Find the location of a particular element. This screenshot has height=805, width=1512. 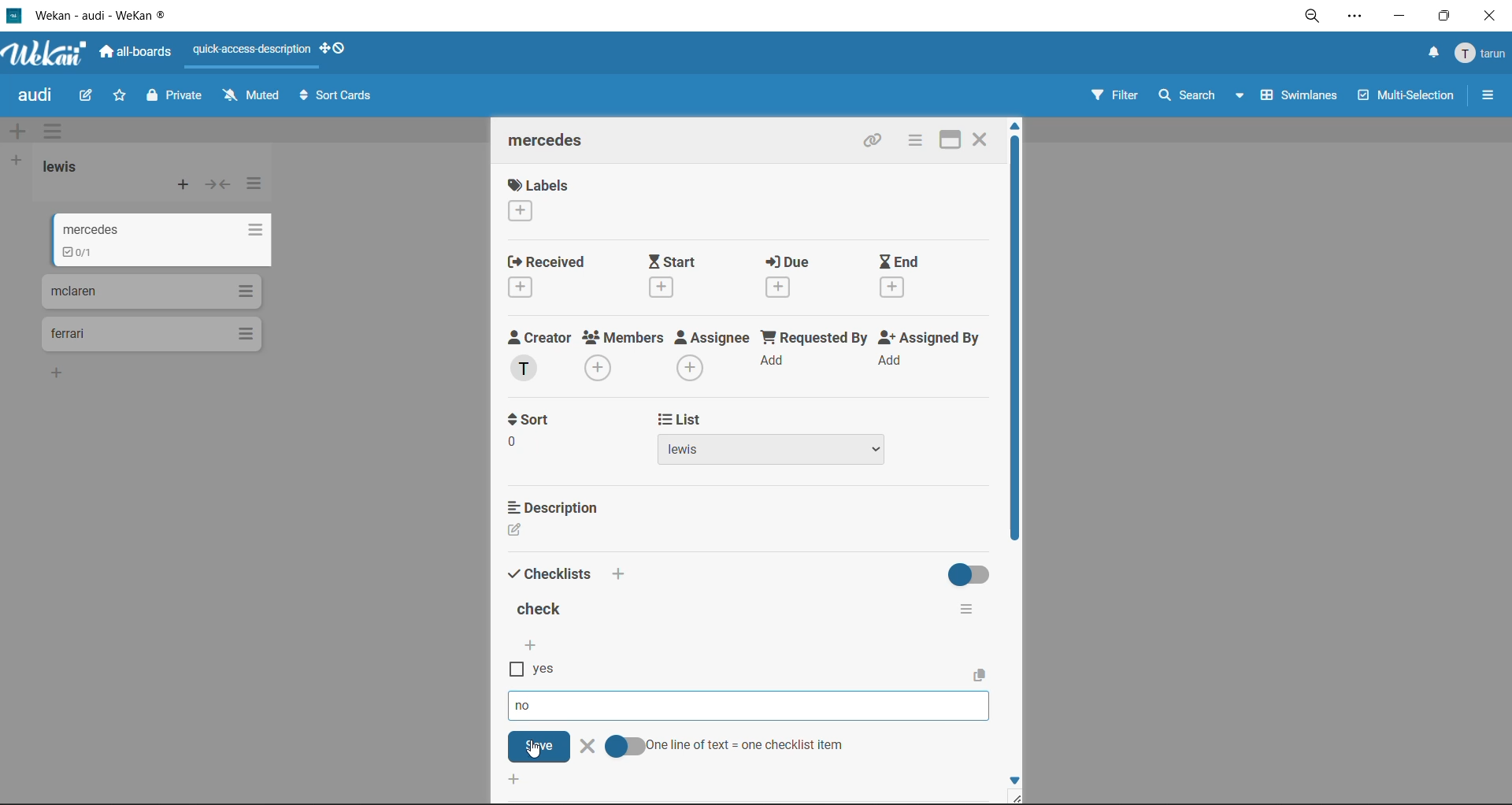

swimlane actions is located at coordinates (57, 133).